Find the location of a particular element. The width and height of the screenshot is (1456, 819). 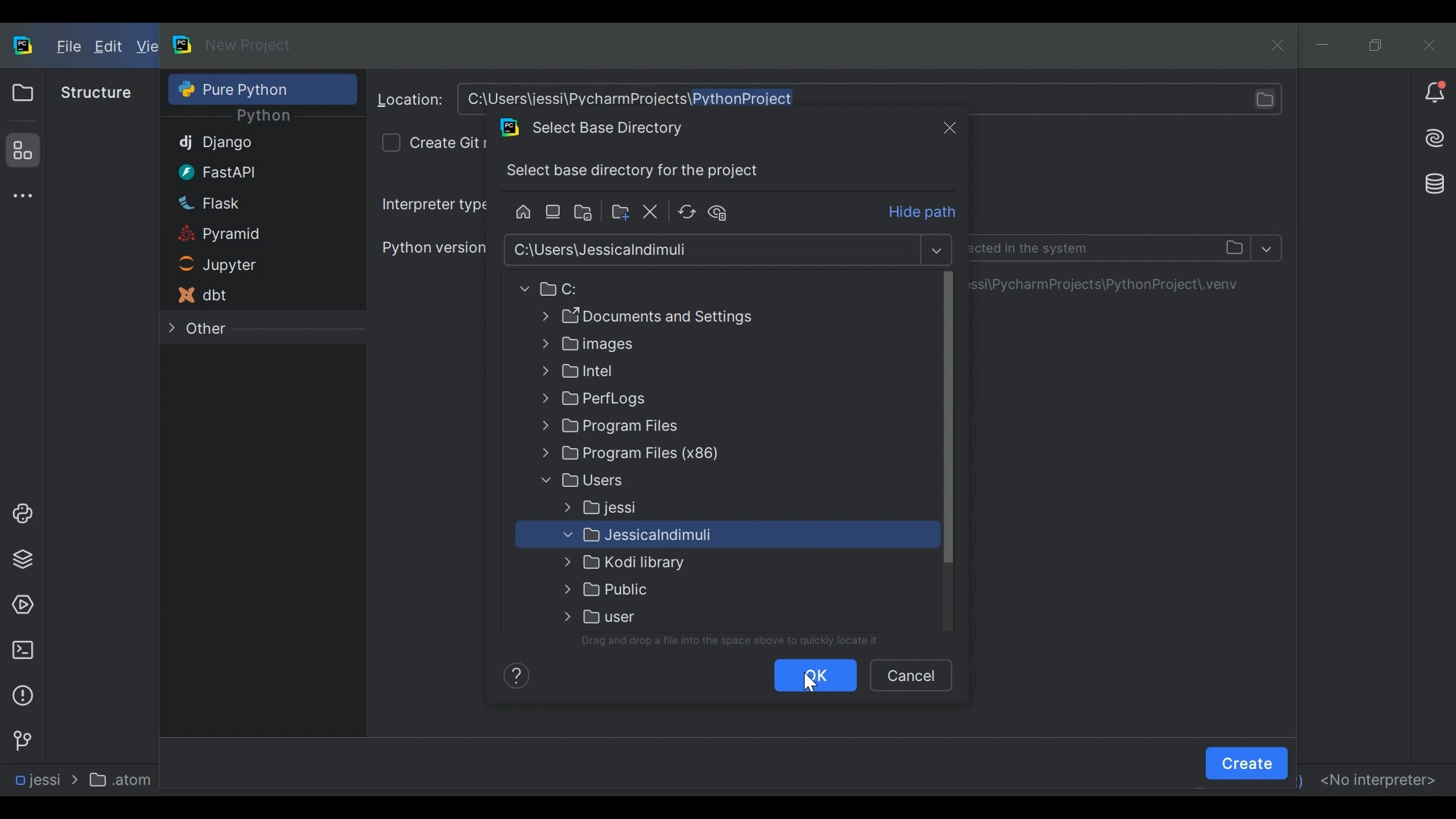

Django is located at coordinates (243, 144).